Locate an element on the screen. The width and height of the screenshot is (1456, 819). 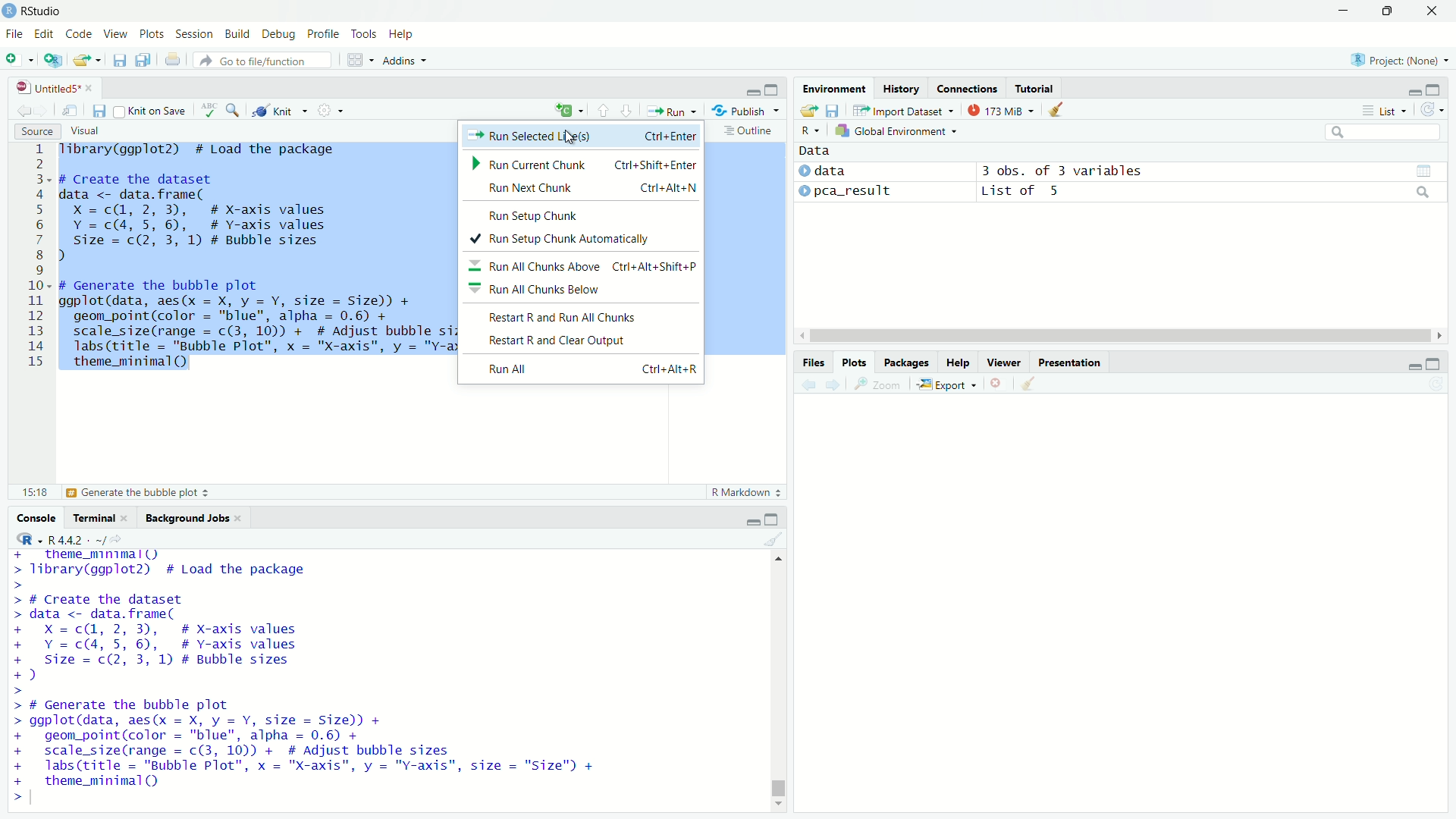
lines is located at coordinates (37, 260).